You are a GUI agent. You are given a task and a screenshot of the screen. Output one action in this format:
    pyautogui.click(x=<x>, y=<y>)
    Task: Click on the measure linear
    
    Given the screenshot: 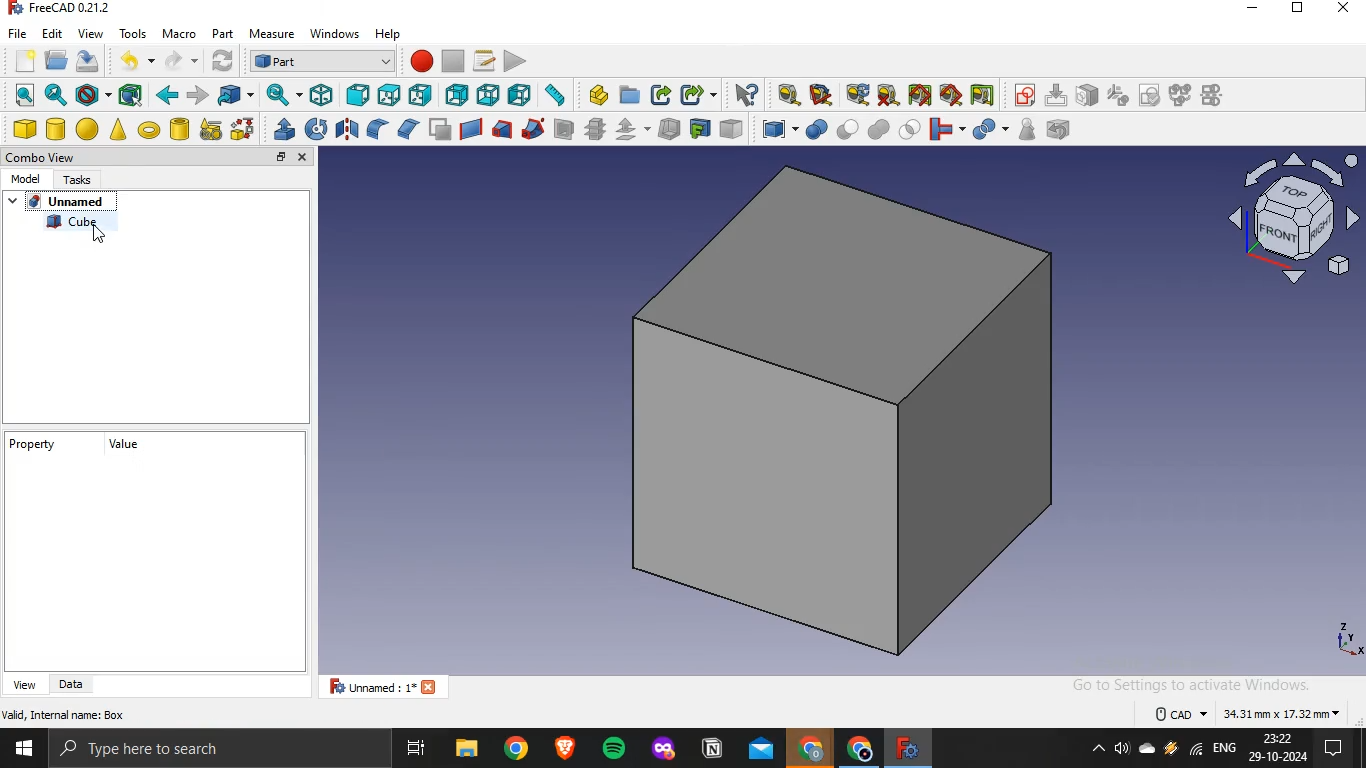 What is the action you would take?
    pyautogui.click(x=789, y=96)
    